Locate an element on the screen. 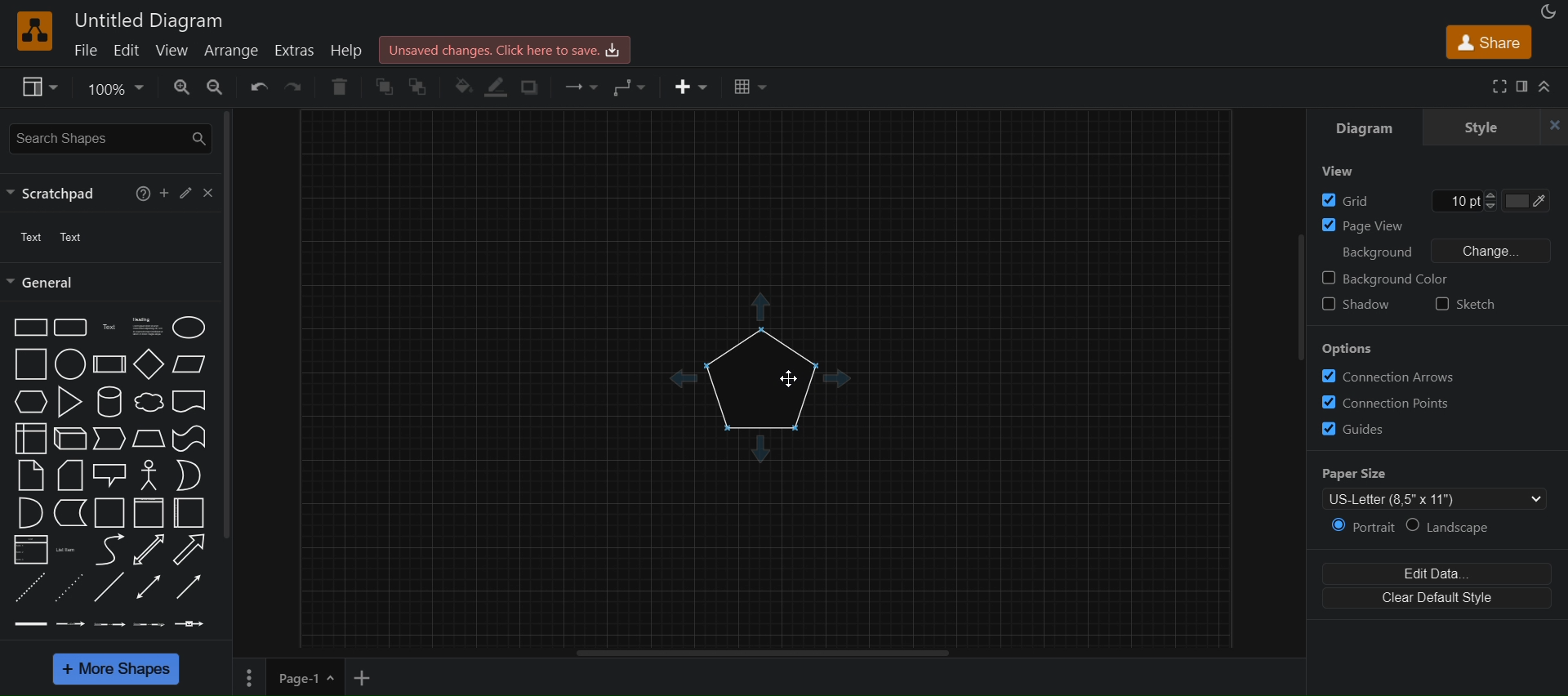  Unsaved changes. Click here to save is located at coordinates (505, 50).